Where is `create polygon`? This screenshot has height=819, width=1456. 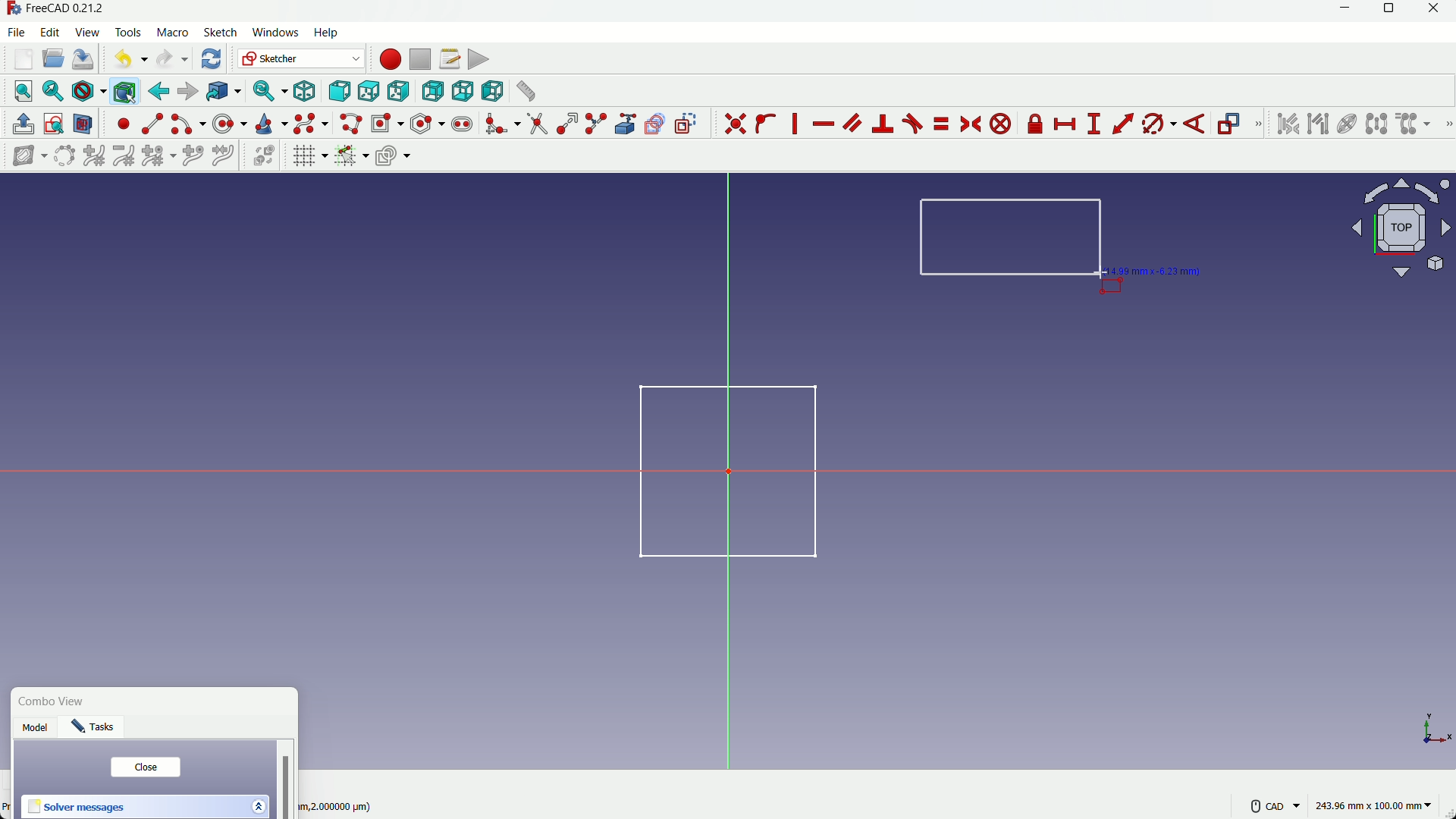 create polygon is located at coordinates (428, 123).